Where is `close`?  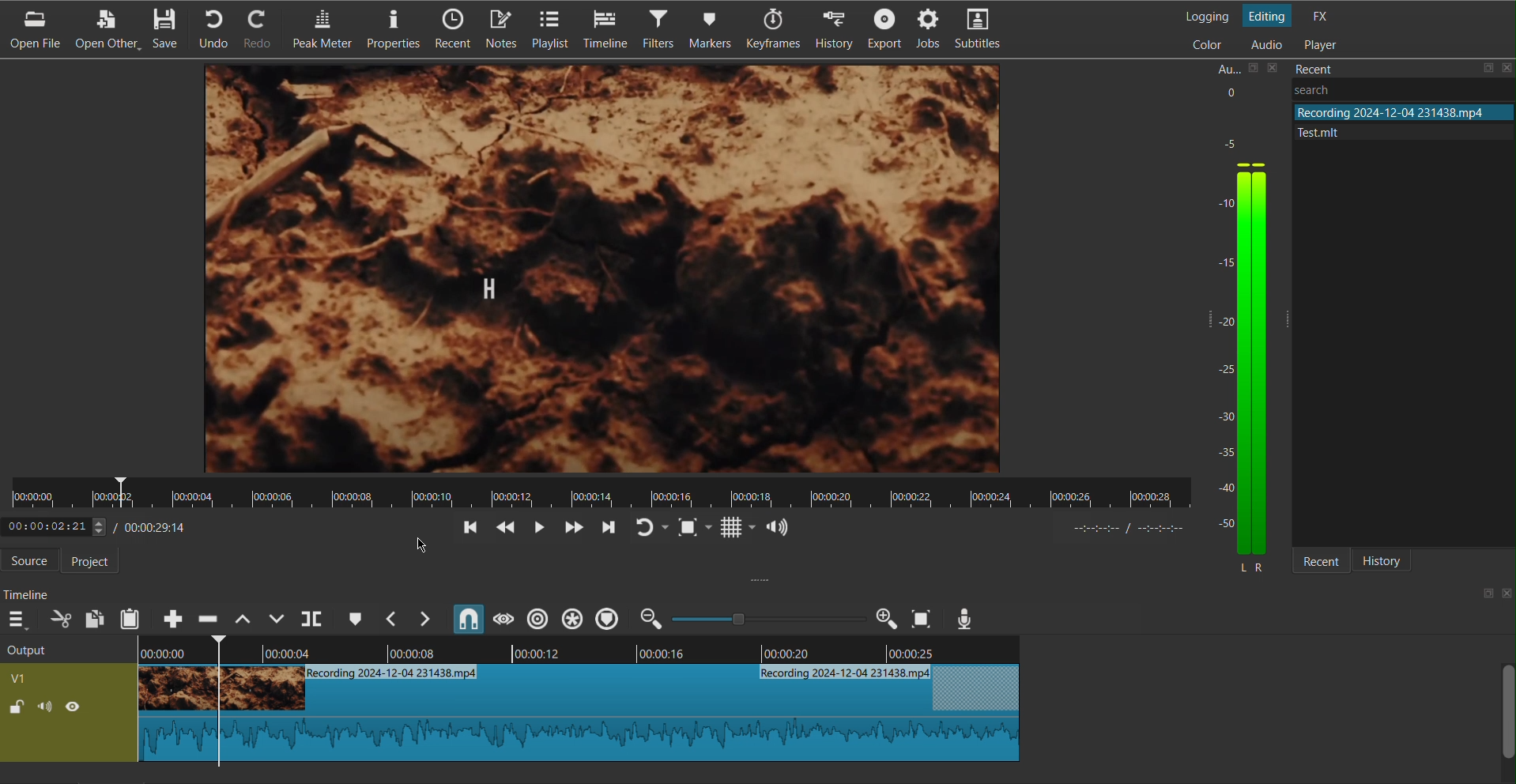
close is located at coordinates (1274, 67).